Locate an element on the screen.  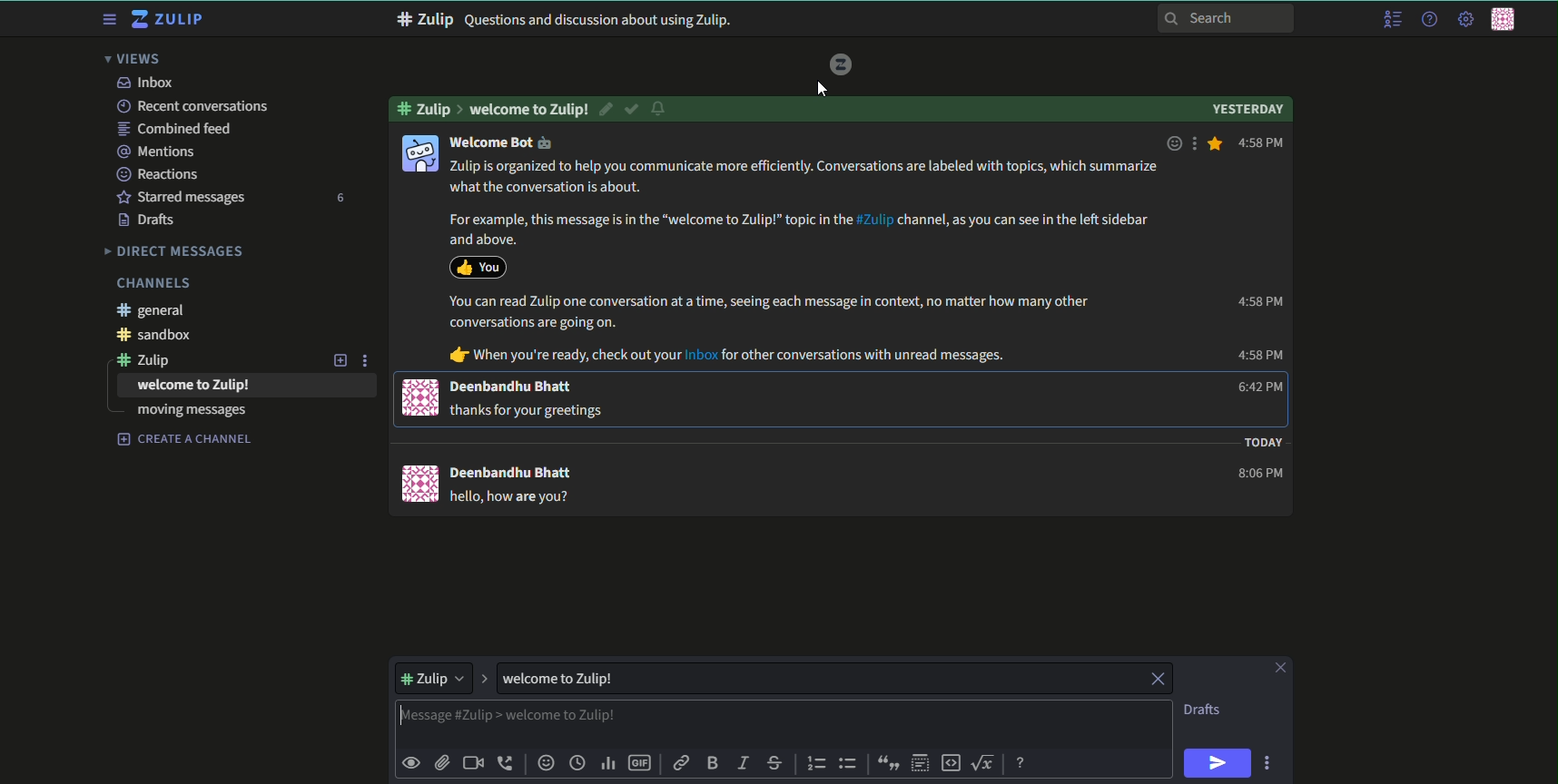
link is located at coordinates (681, 763).